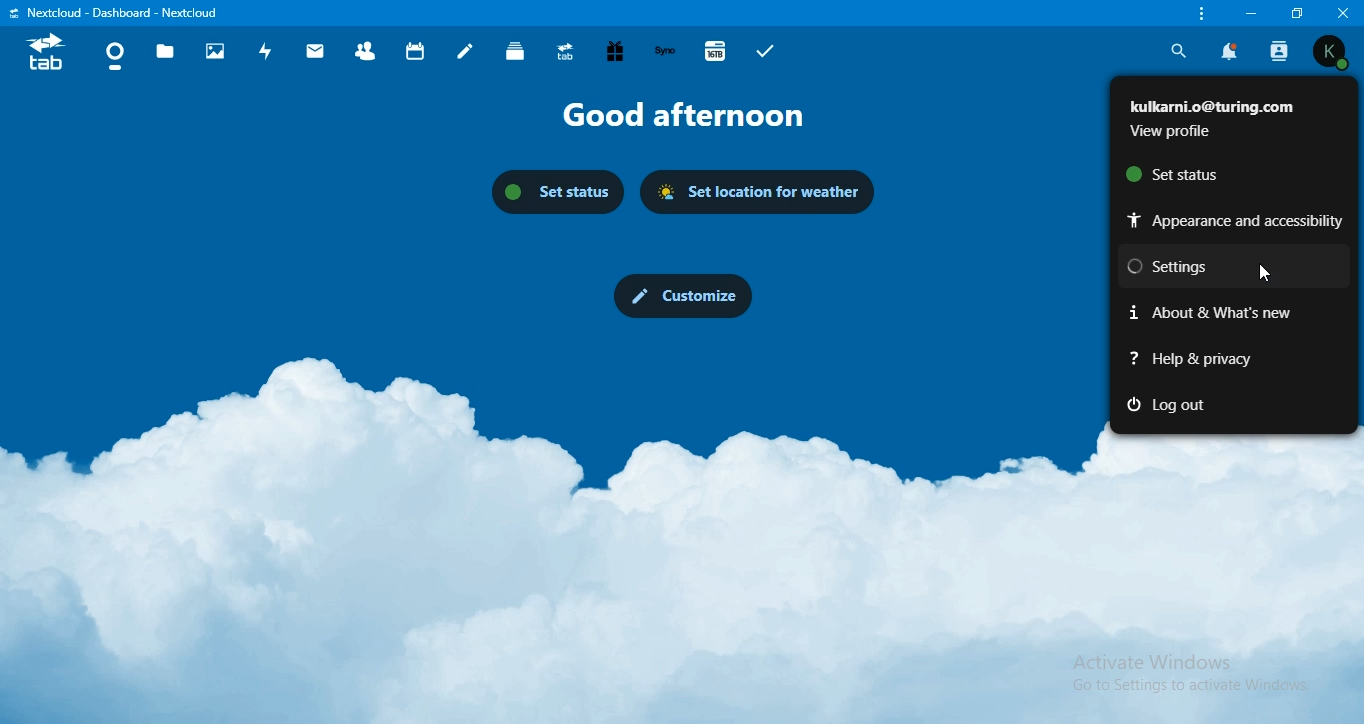 Image resolution: width=1364 pixels, height=724 pixels. Describe the element at coordinates (1235, 221) in the screenshot. I see `appearance and accessibilty` at that location.